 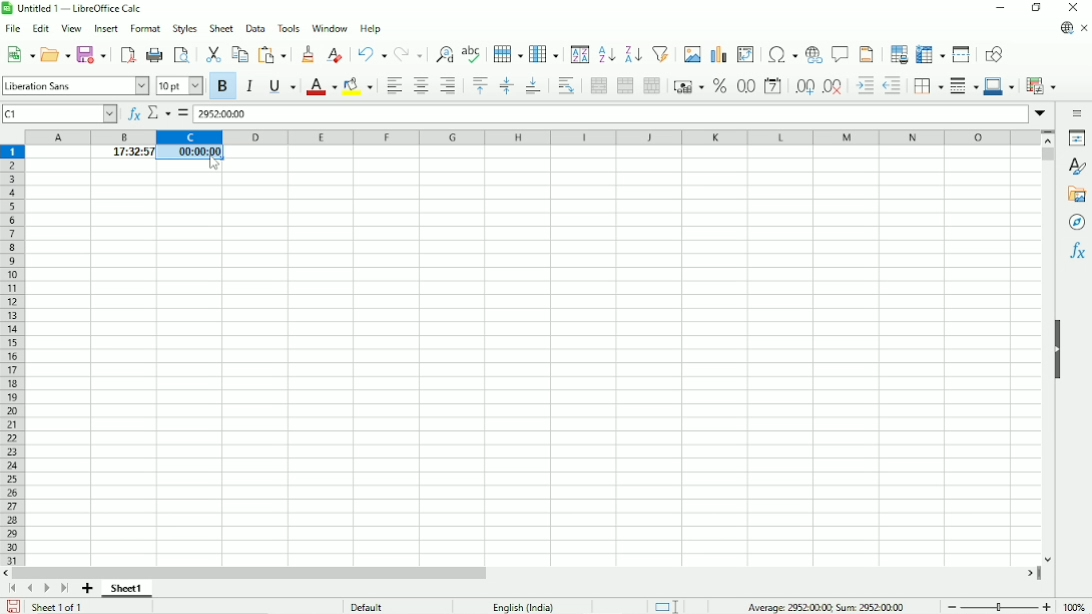 What do you see at coordinates (534, 137) in the screenshot?
I see `Column headings` at bounding box center [534, 137].